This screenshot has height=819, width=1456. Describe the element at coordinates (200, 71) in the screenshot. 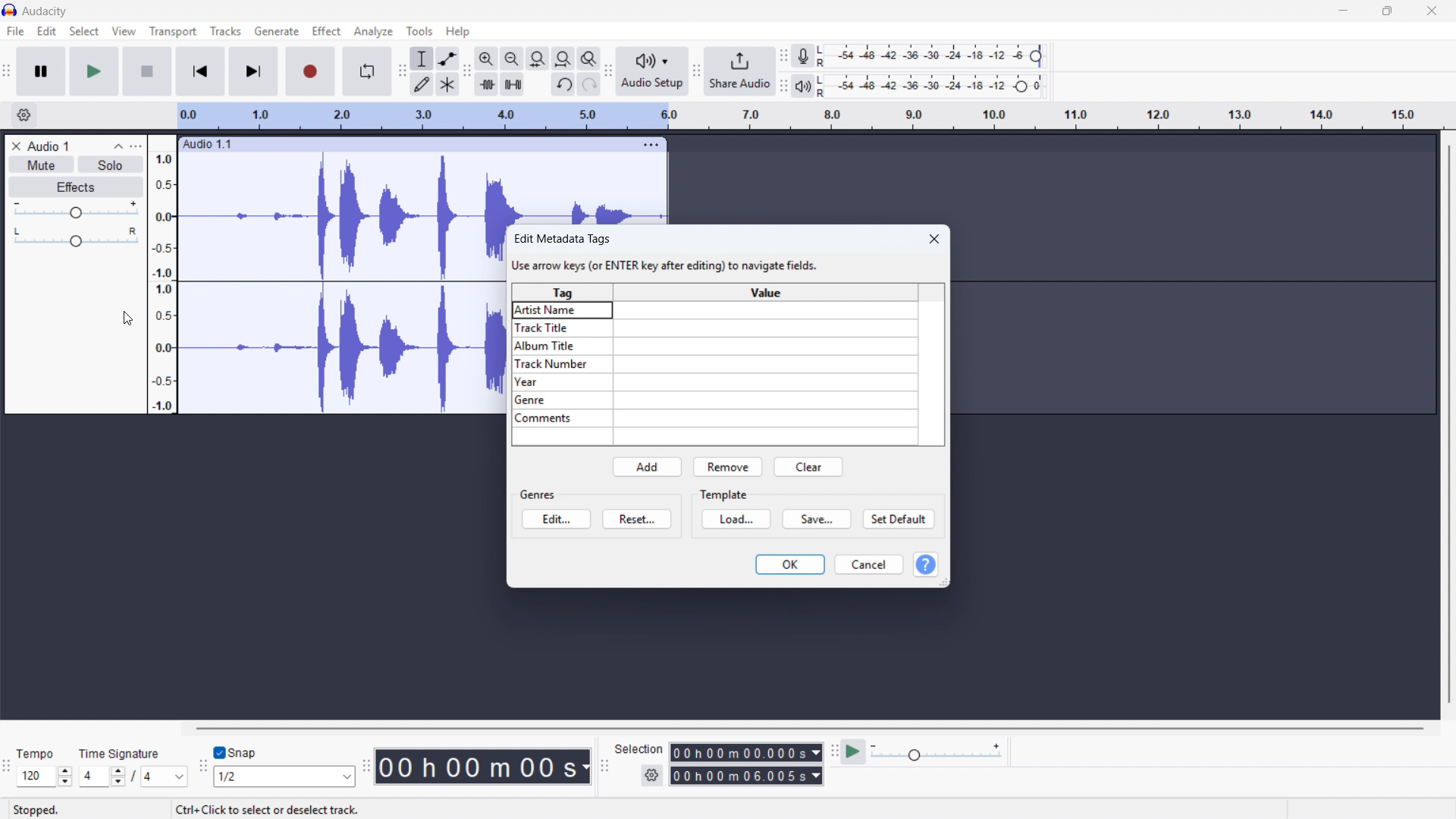

I see `skip to start` at that location.